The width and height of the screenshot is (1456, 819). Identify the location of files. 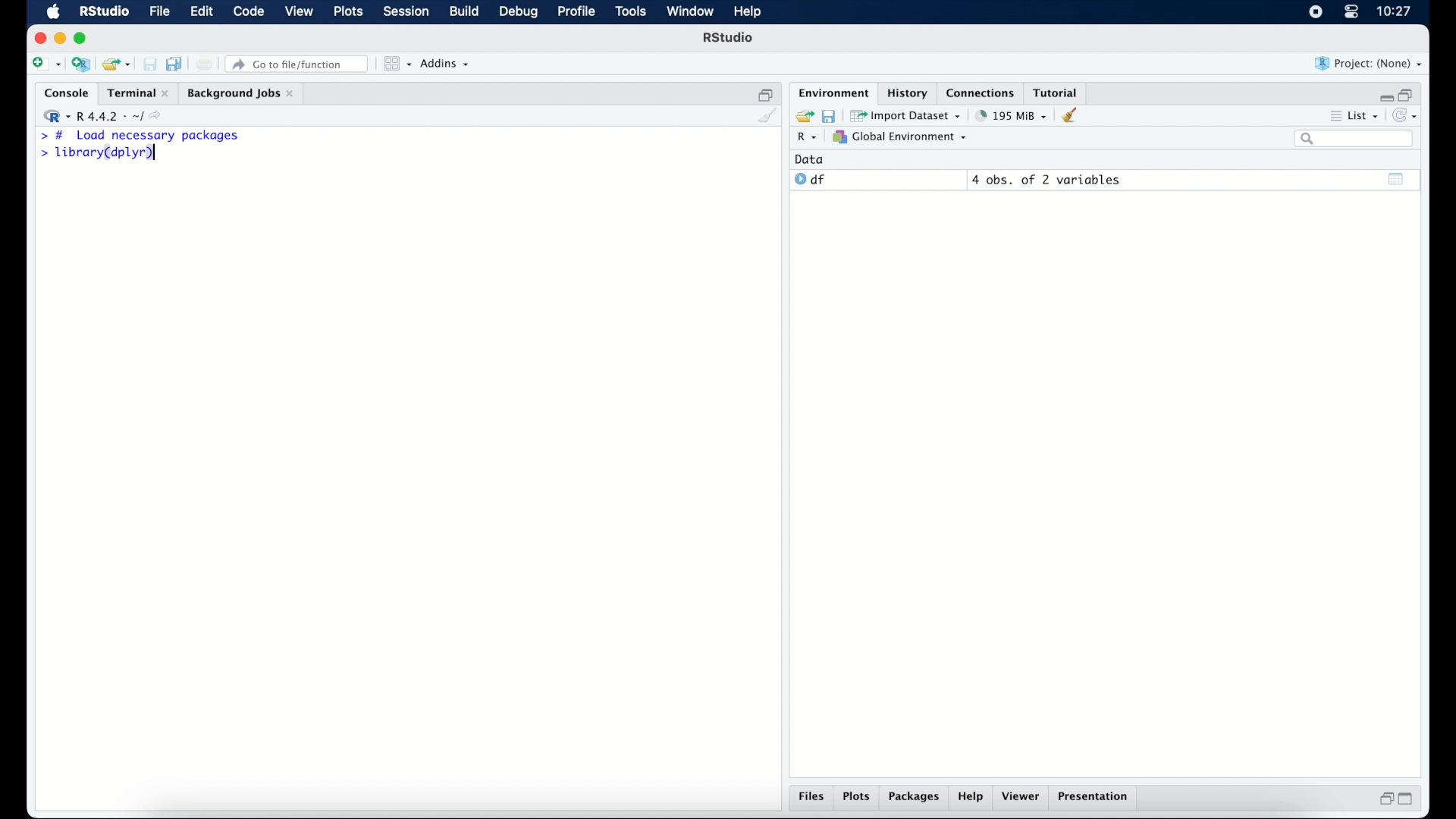
(811, 799).